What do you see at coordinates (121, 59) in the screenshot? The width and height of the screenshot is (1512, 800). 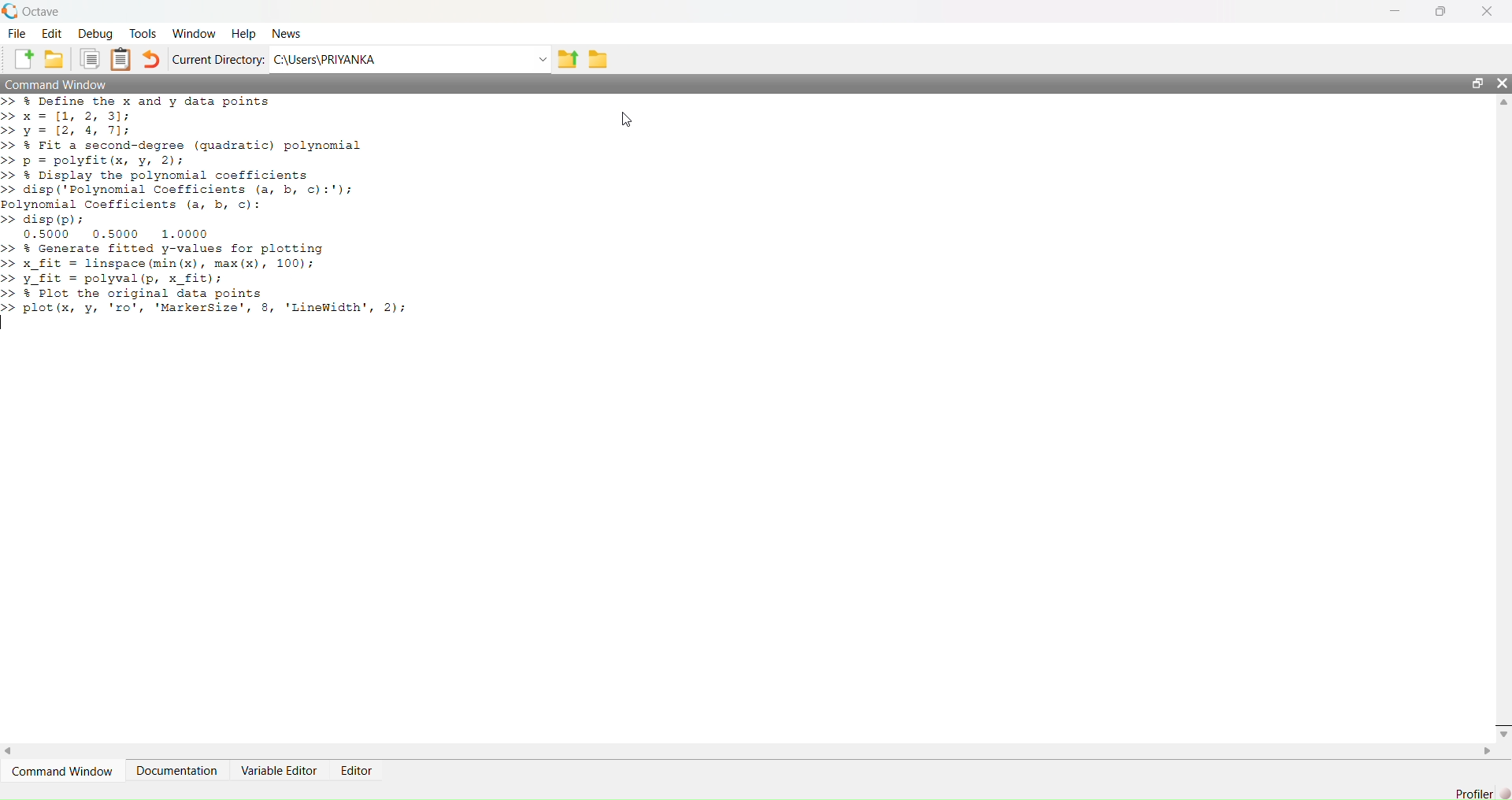 I see `Paste` at bounding box center [121, 59].